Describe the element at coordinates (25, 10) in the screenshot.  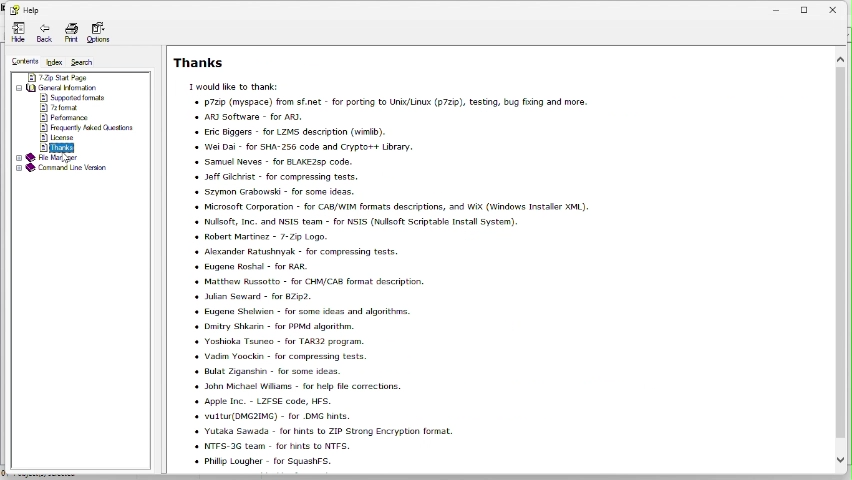
I see `help` at that location.